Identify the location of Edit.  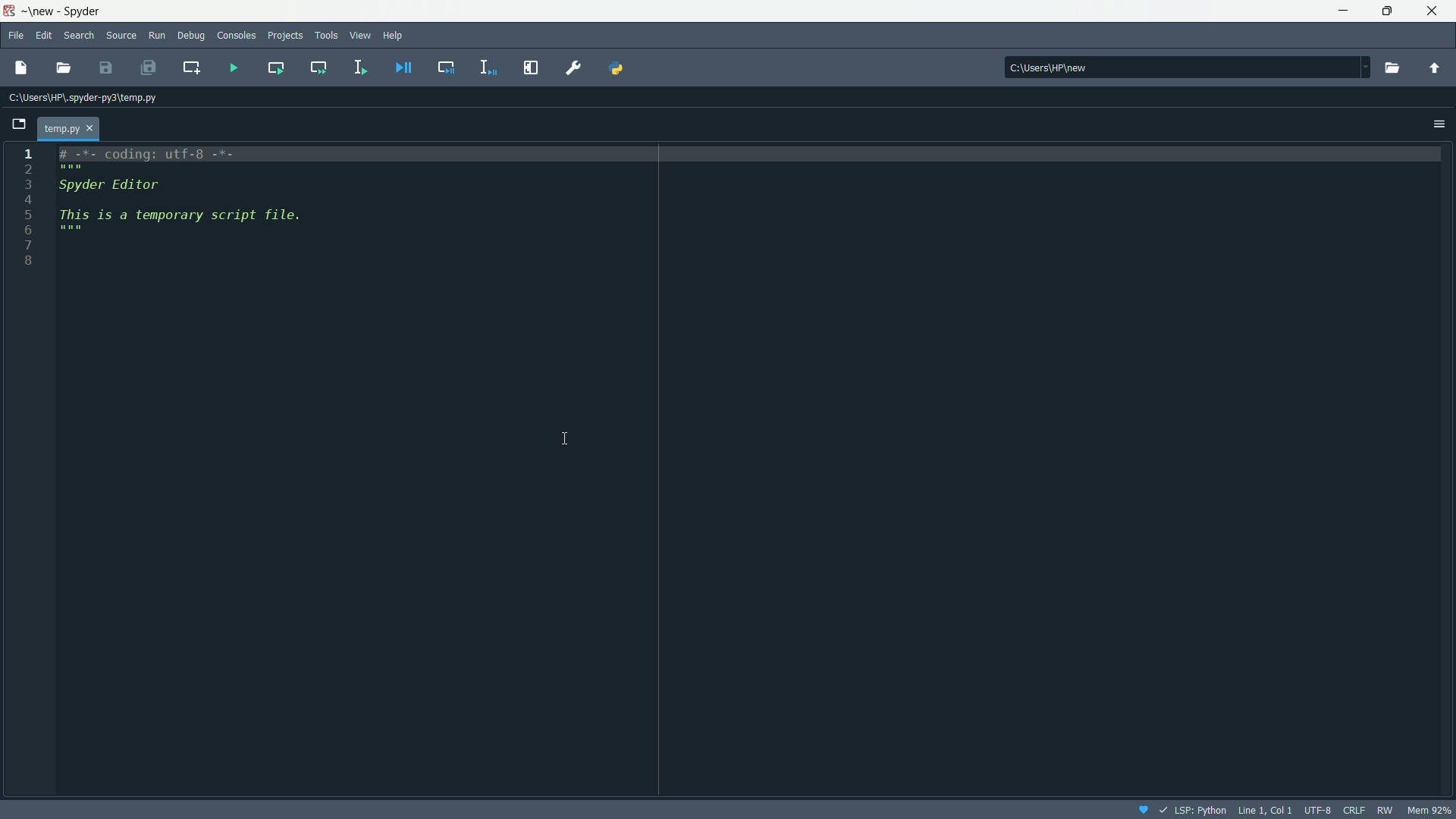
(45, 33).